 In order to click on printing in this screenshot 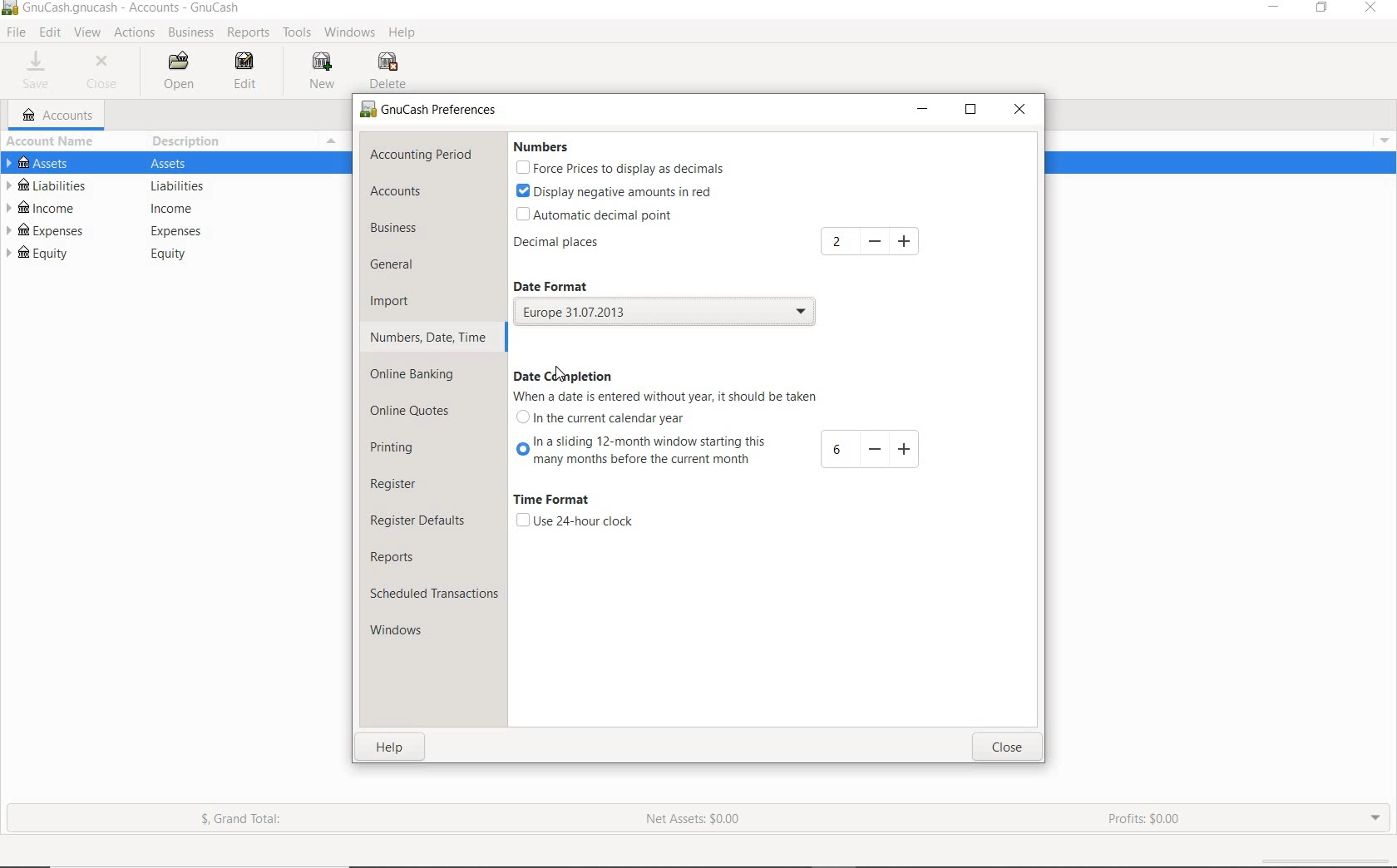, I will do `click(404, 450)`.